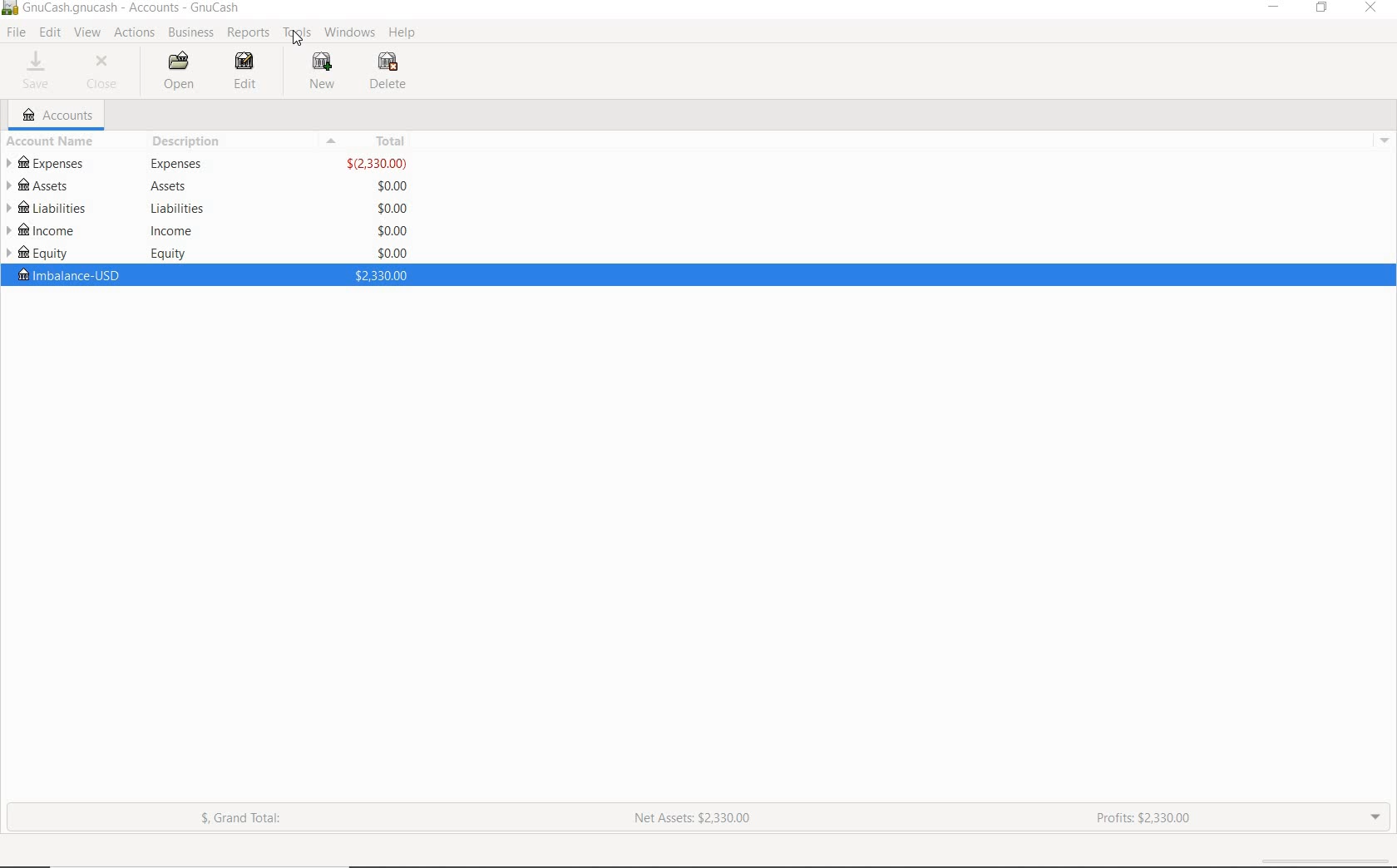 Image resolution: width=1397 pixels, height=868 pixels. I want to click on LIABILITIES, so click(208, 208).